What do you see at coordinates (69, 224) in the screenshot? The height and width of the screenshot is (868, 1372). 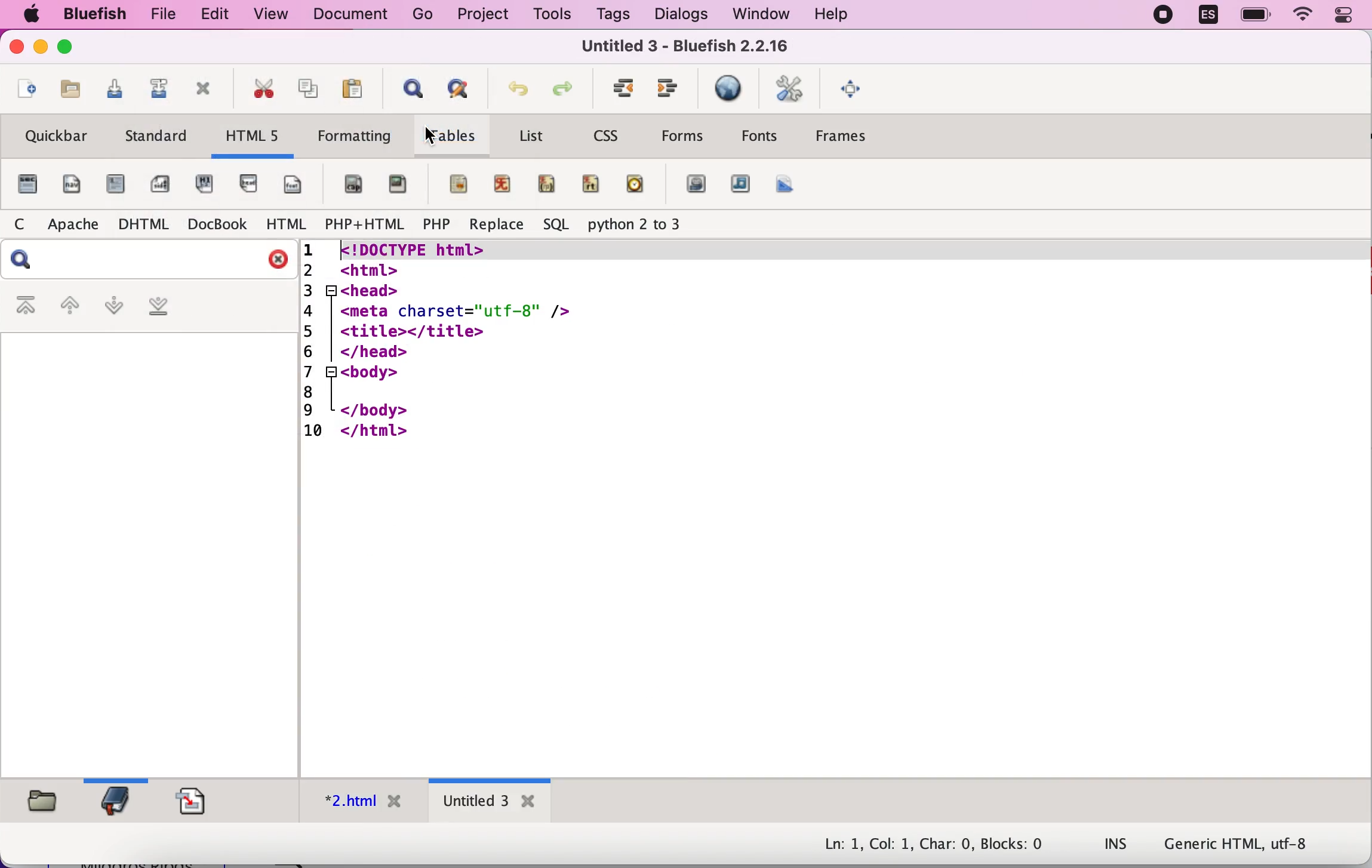 I see `apache` at bounding box center [69, 224].